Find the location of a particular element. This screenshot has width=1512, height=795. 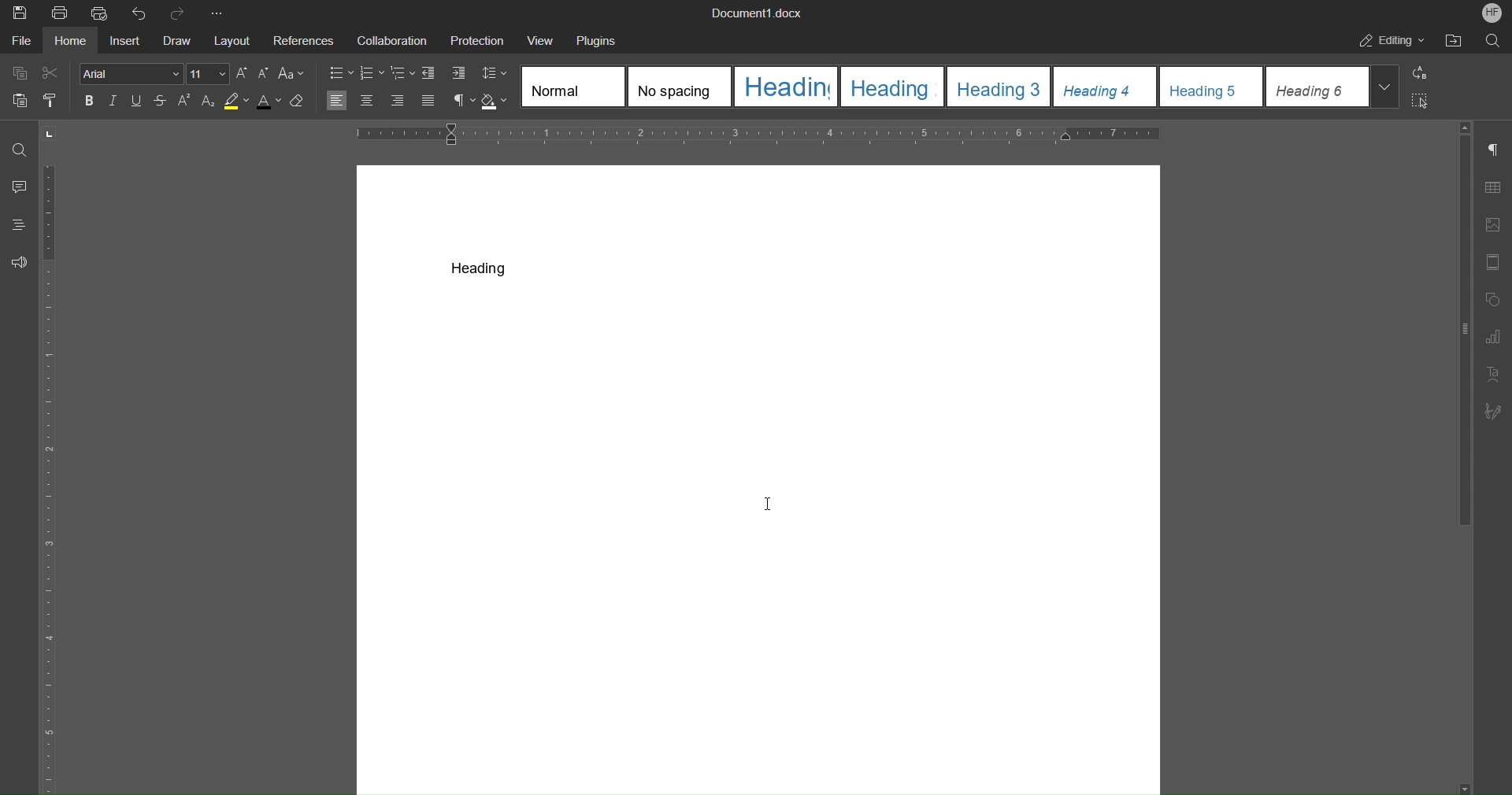

Increase Indent is located at coordinates (460, 73).